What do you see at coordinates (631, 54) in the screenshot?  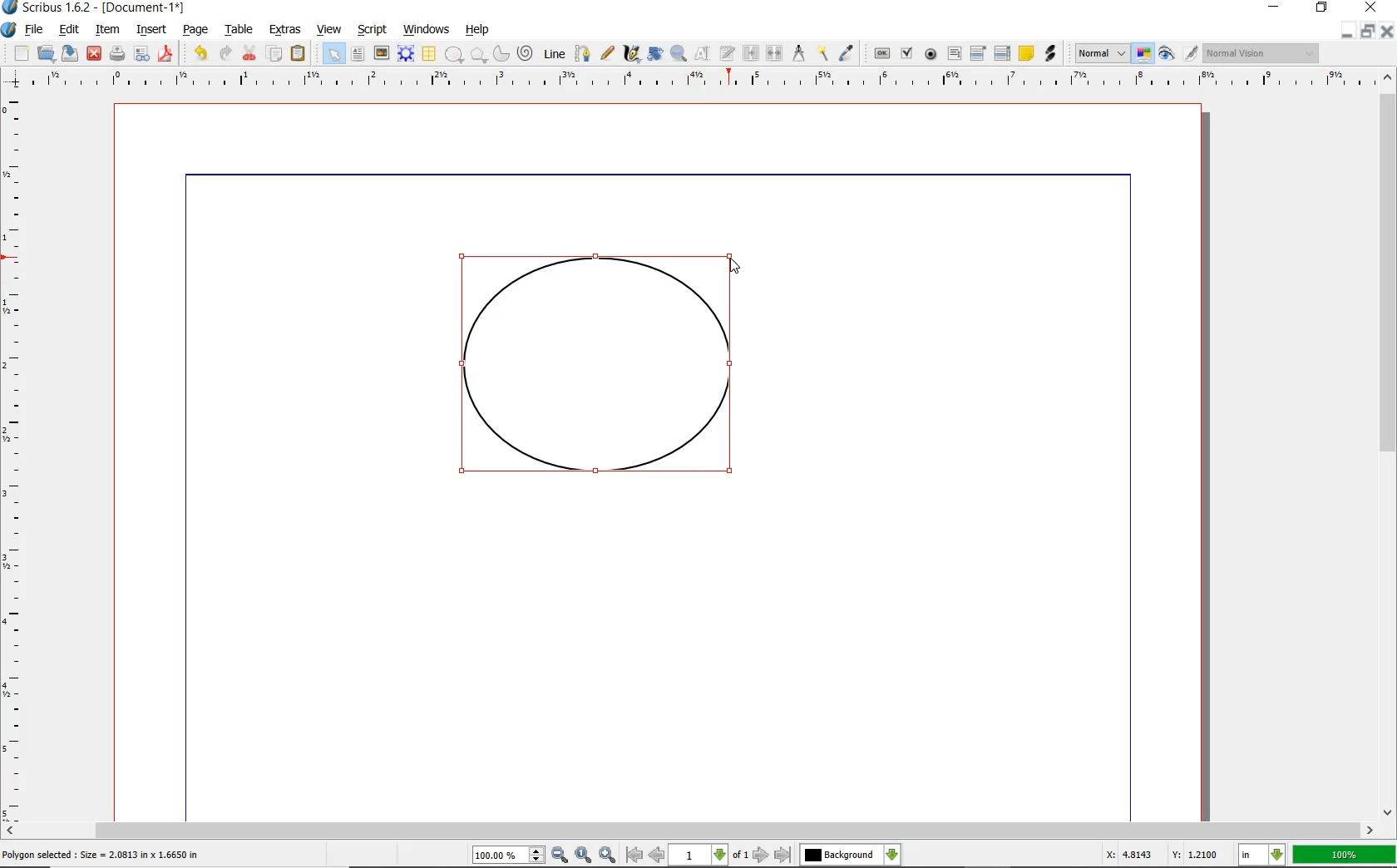 I see `CALLIGRAPHIC LINE` at bounding box center [631, 54].